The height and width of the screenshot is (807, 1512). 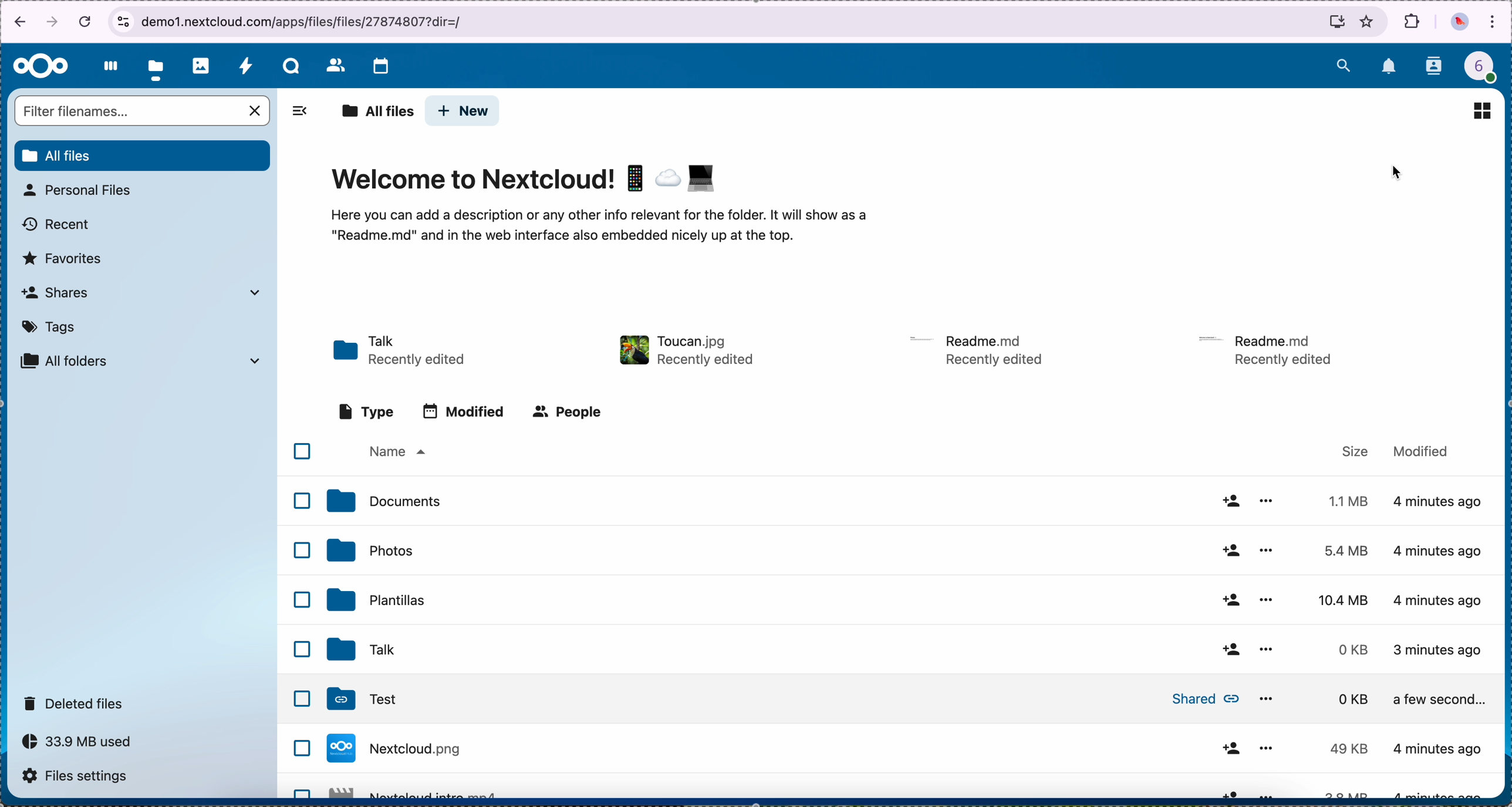 I want to click on search, so click(x=1343, y=63).